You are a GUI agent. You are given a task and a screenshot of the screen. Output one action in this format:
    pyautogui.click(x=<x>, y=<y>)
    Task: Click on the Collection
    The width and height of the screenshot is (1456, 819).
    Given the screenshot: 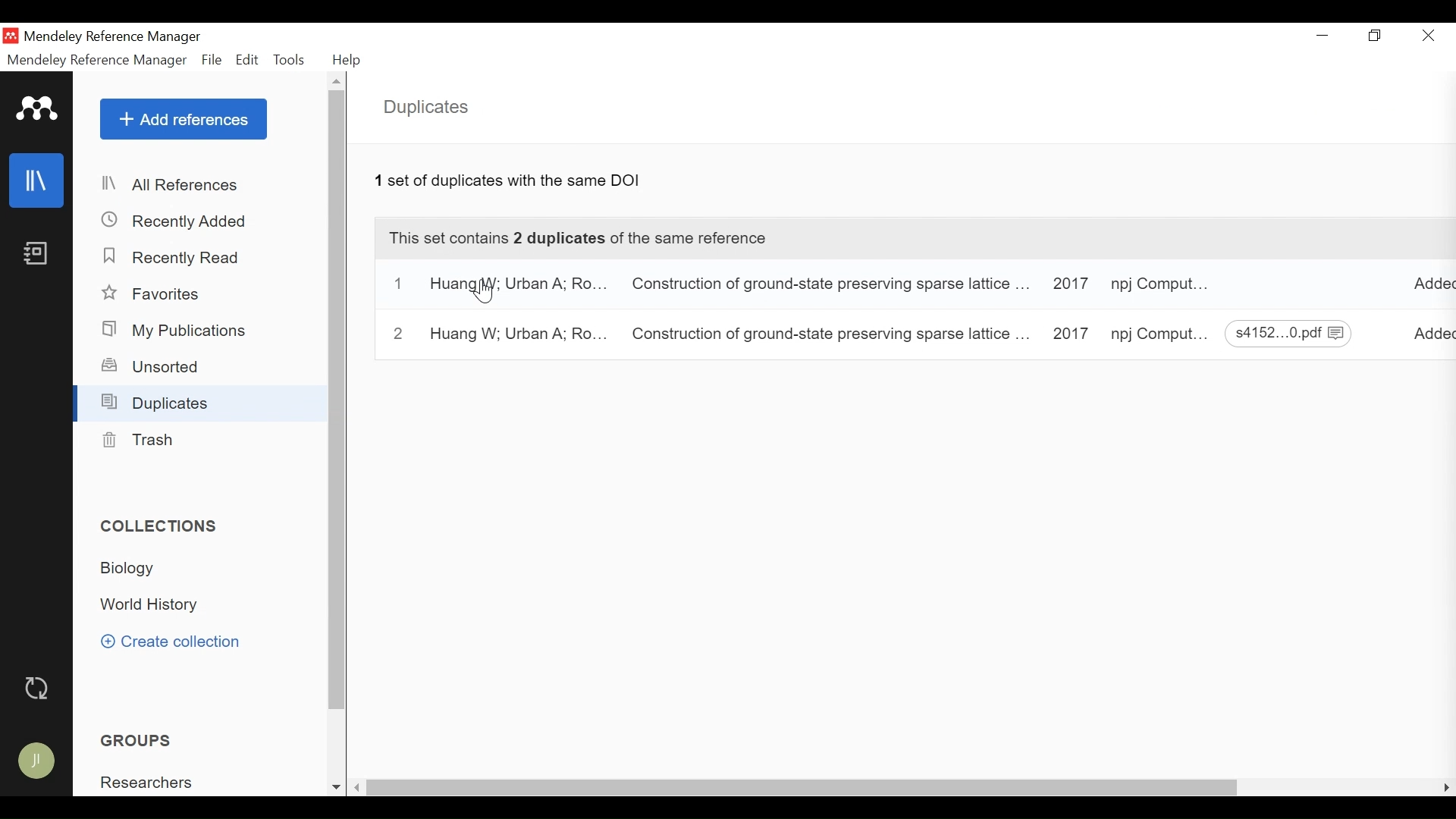 What is the action you would take?
    pyautogui.click(x=133, y=568)
    